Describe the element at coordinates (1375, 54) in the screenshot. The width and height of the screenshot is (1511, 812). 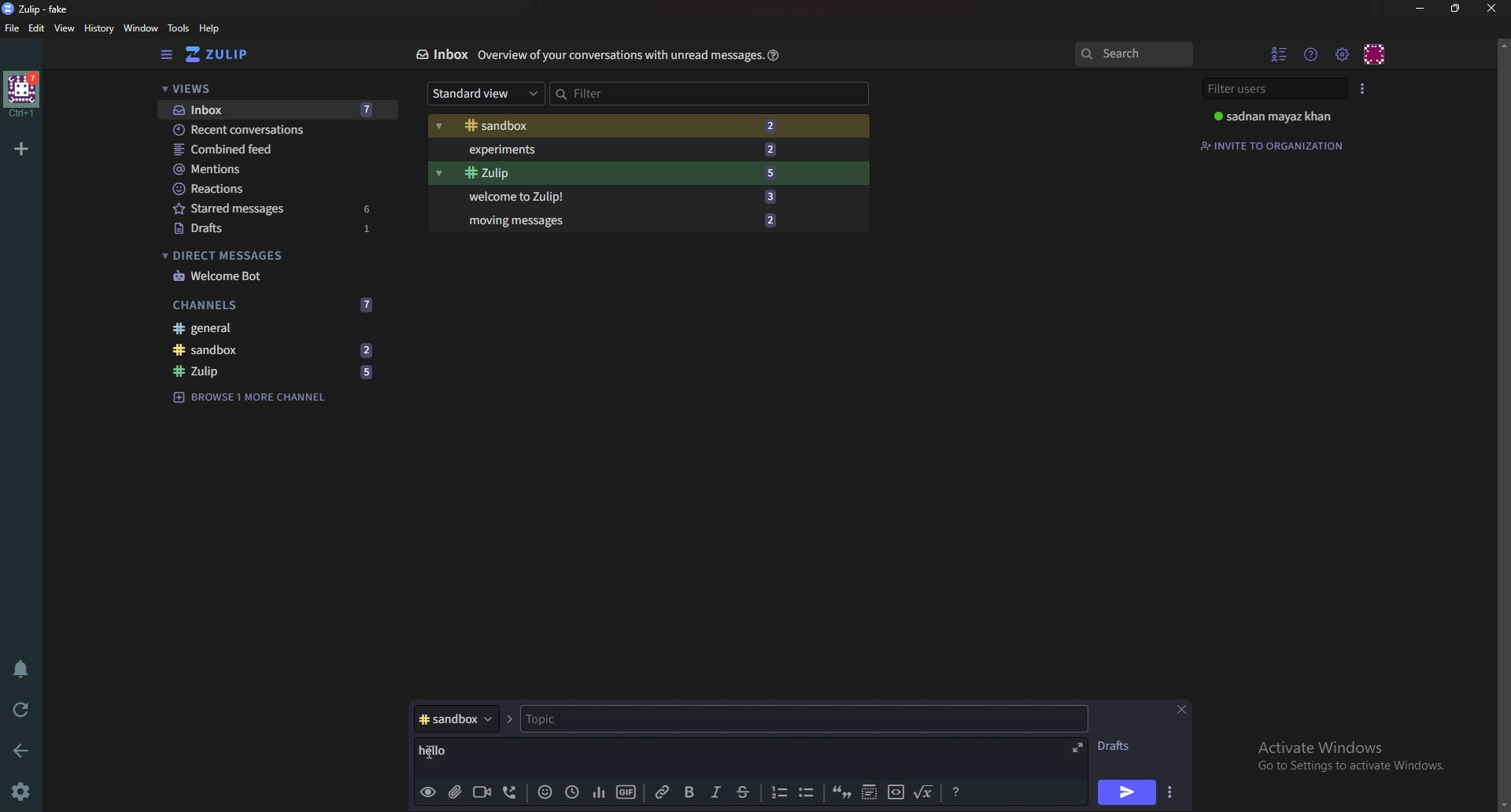
I see `Personal menu` at that location.